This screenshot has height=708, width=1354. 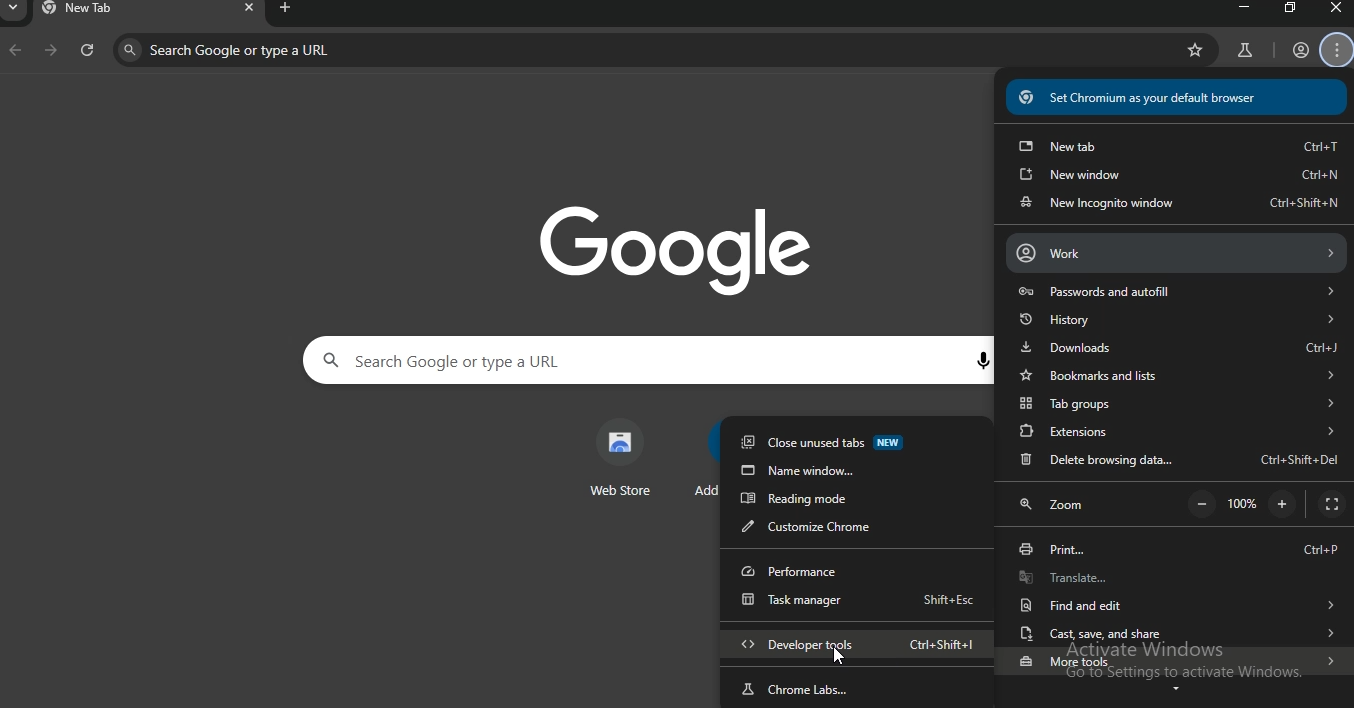 What do you see at coordinates (850, 571) in the screenshot?
I see `performance` at bounding box center [850, 571].